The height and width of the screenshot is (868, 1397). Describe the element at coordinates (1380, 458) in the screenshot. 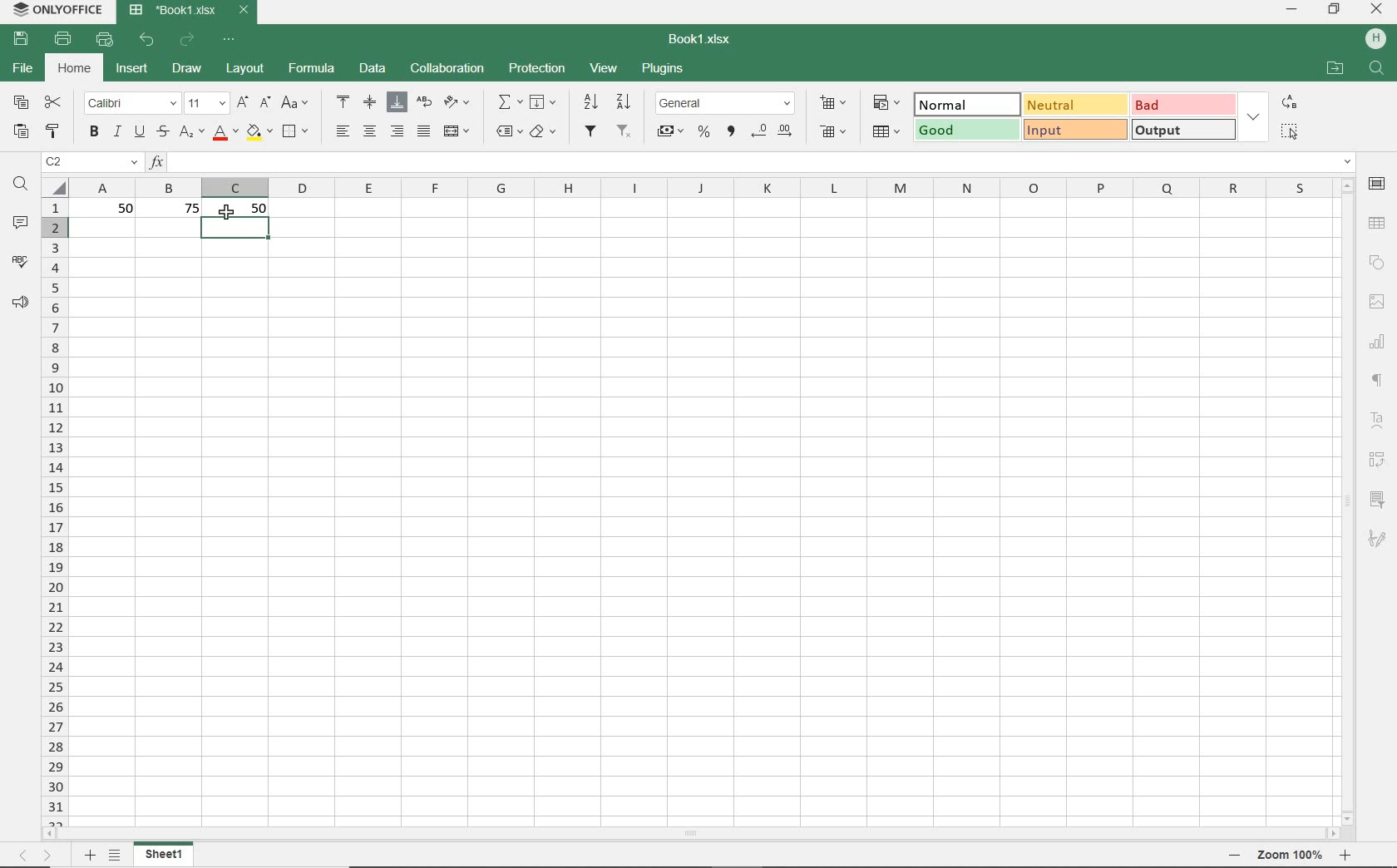

I see `pivot table` at that location.